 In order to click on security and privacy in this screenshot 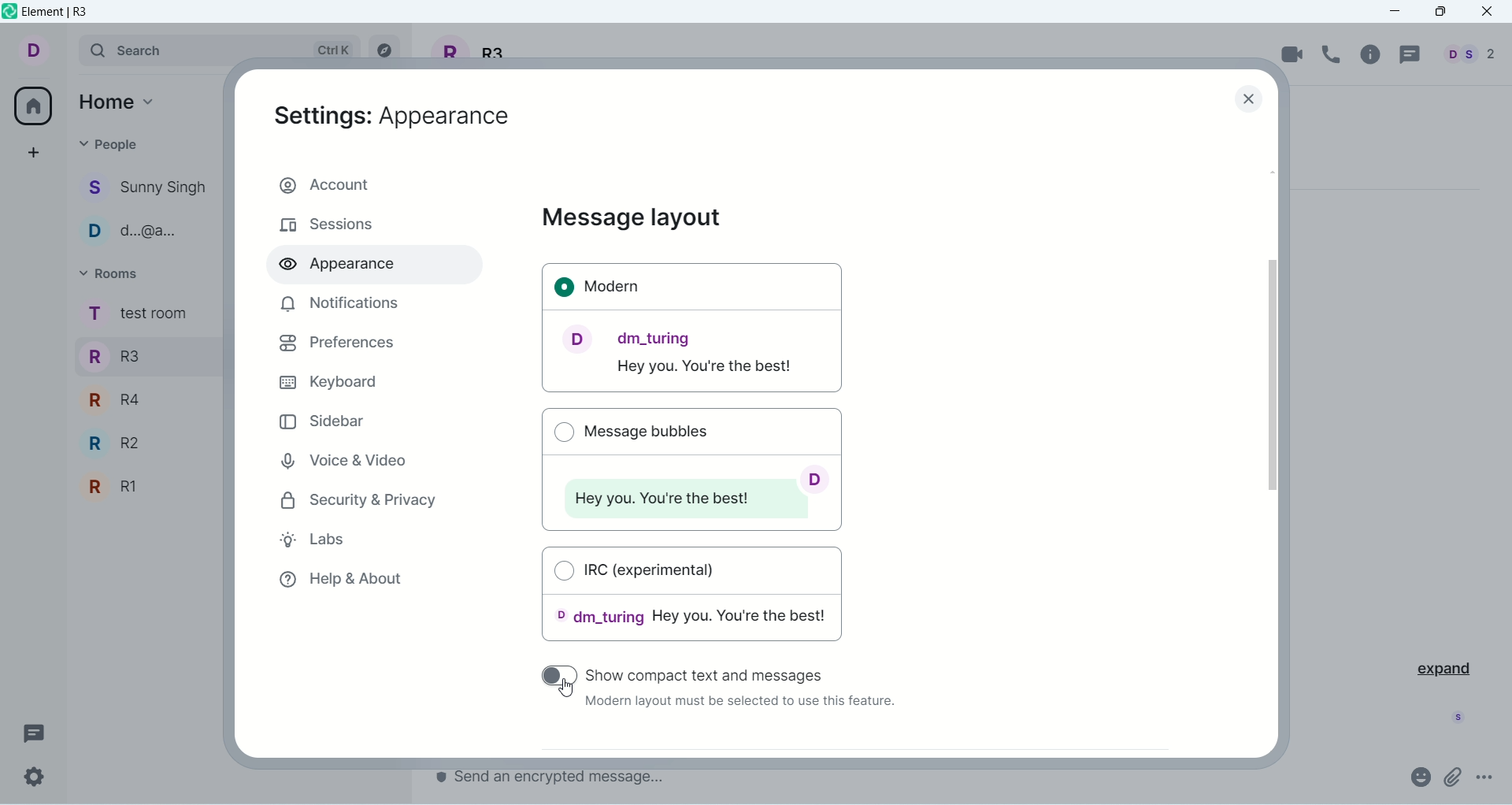, I will do `click(360, 502)`.